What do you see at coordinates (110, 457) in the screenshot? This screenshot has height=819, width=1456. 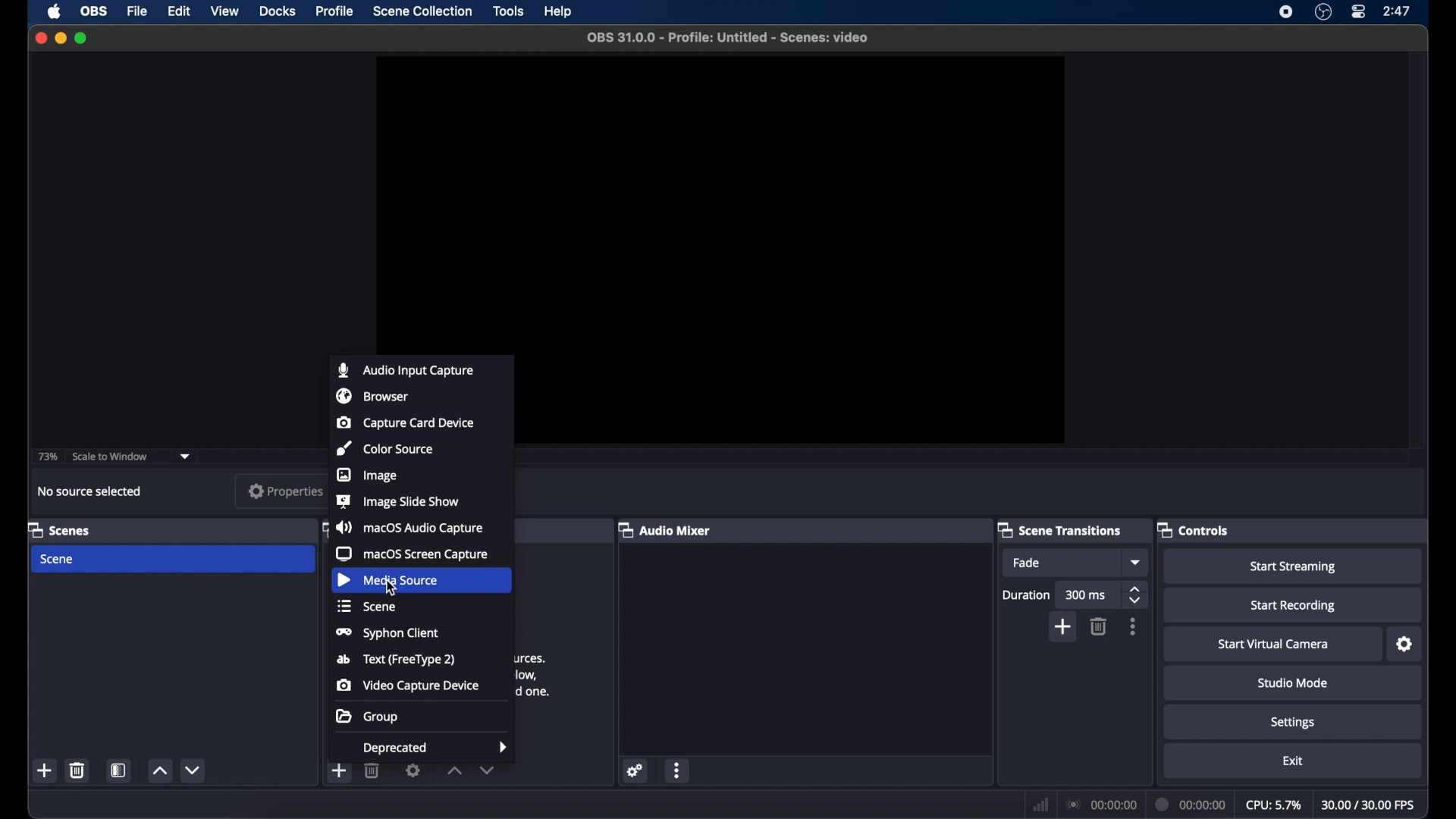 I see `scale to window` at bounding box center [110, 457].